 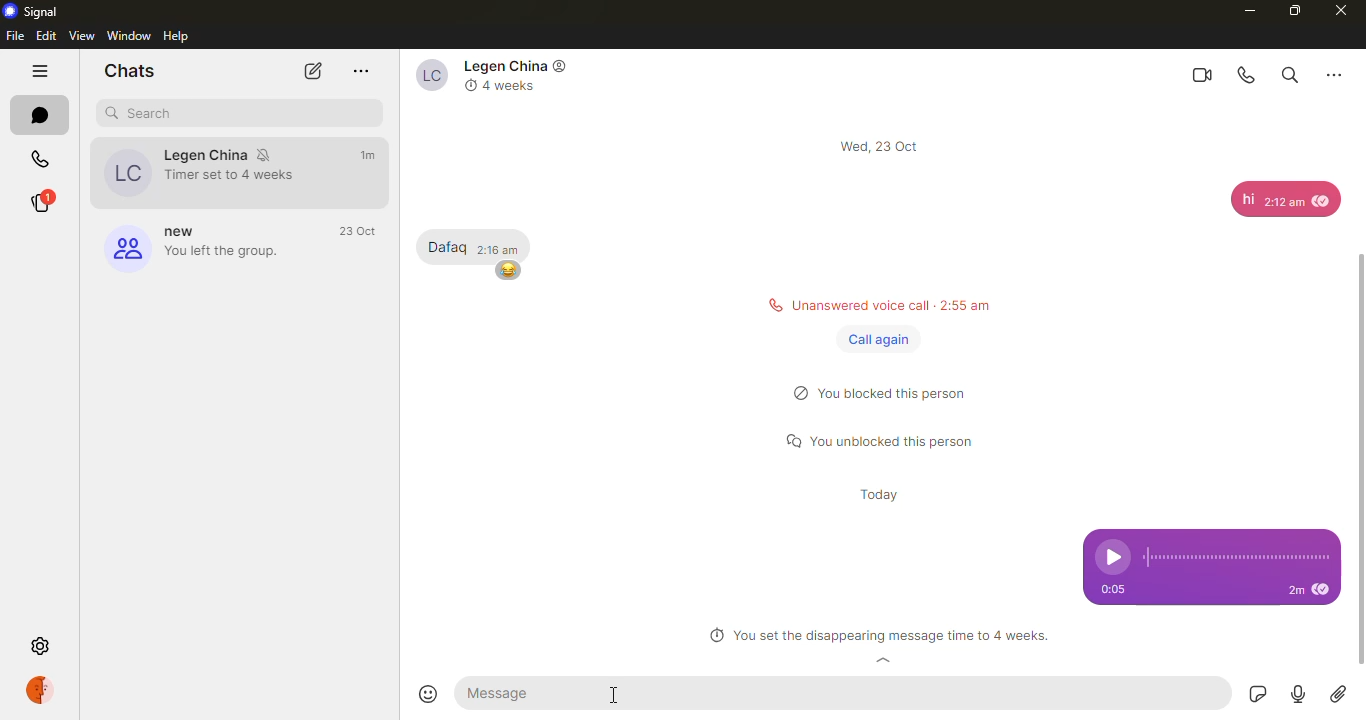 What do you see at coordinates (1248, 75) in the screenshot?
I see `voice call` at bounding box center [1248, 75].